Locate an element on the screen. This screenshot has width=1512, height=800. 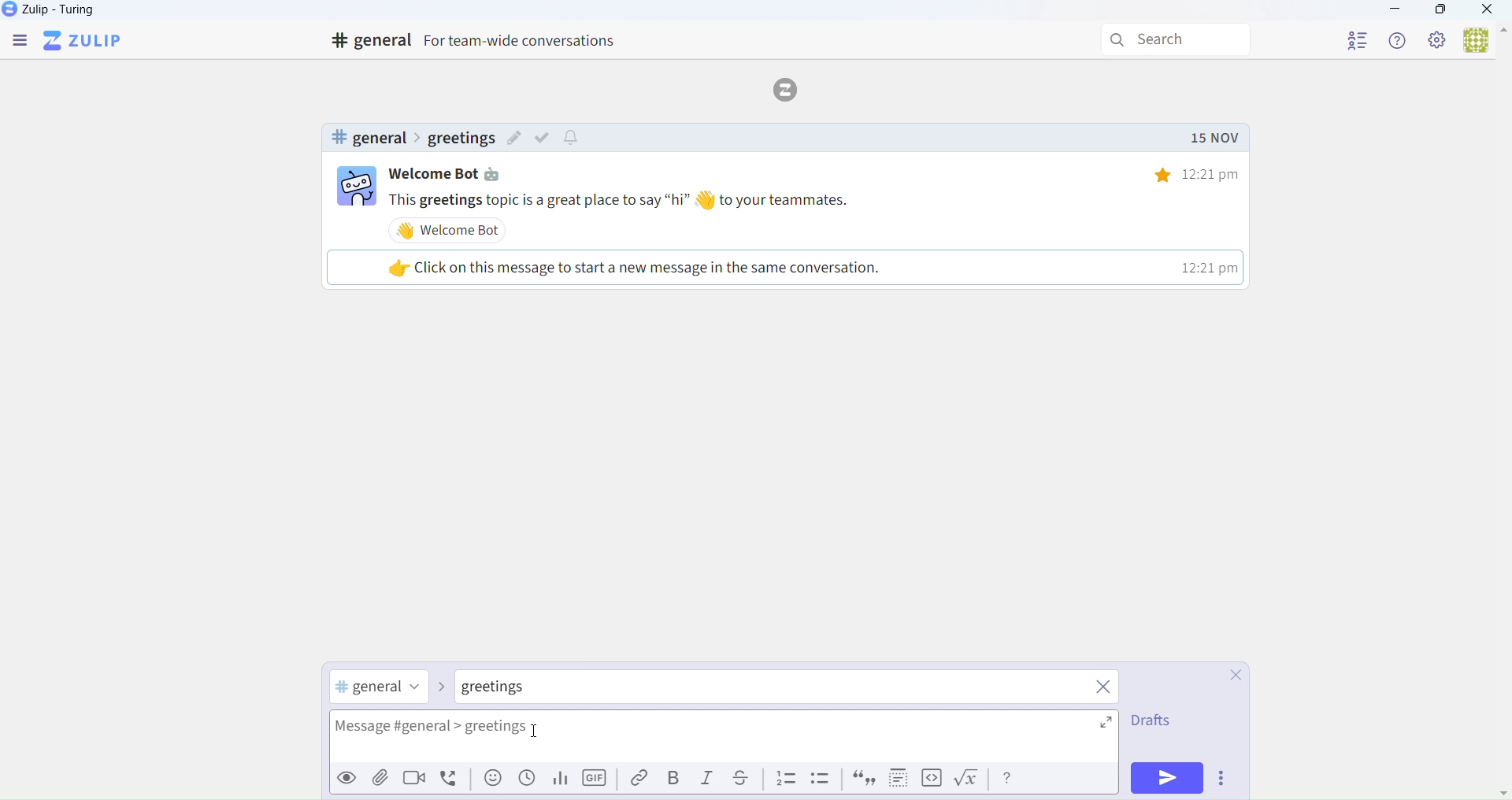
Close is located at coordinates (1488, 11).